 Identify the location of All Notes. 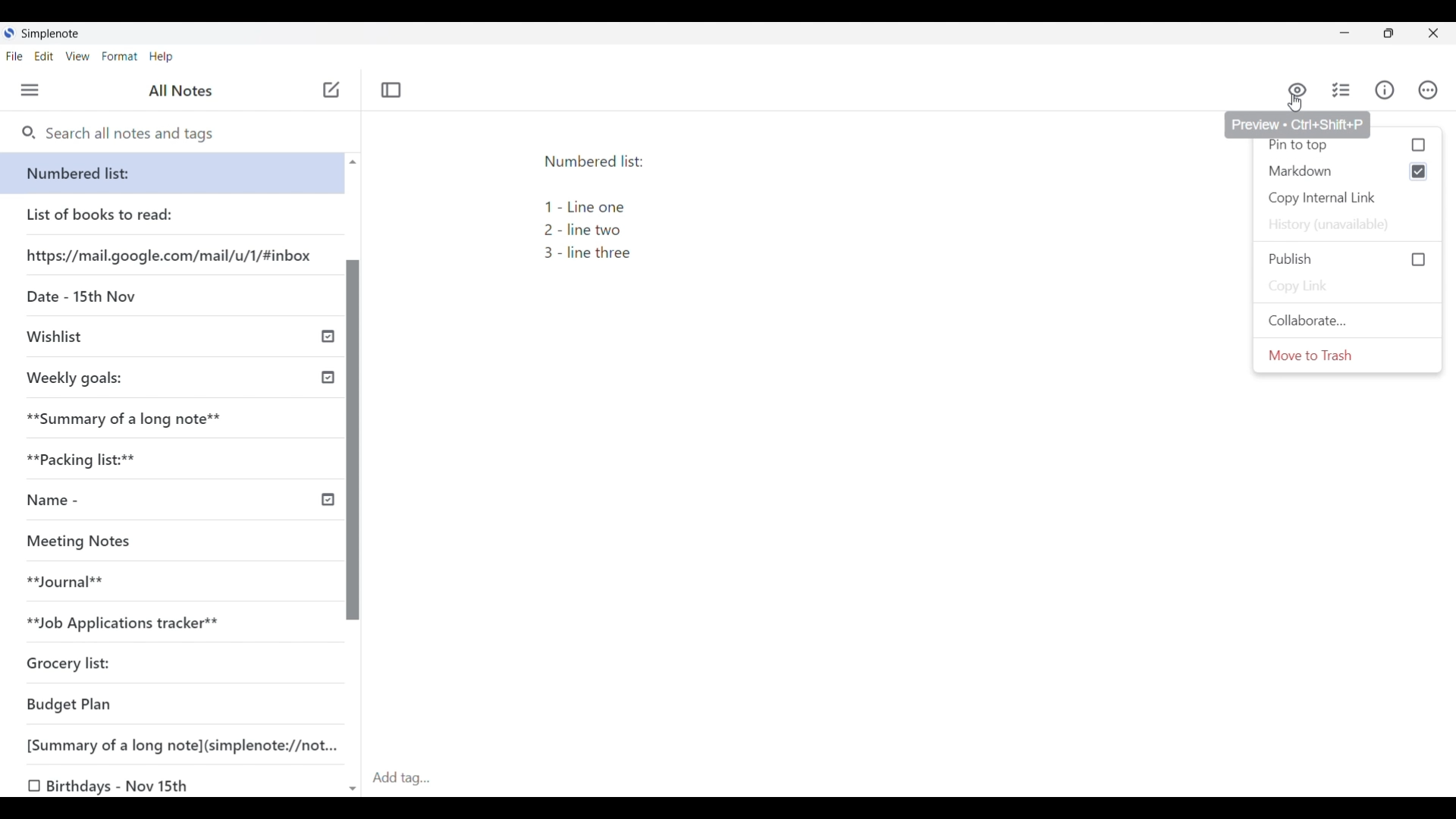
(185, 92).